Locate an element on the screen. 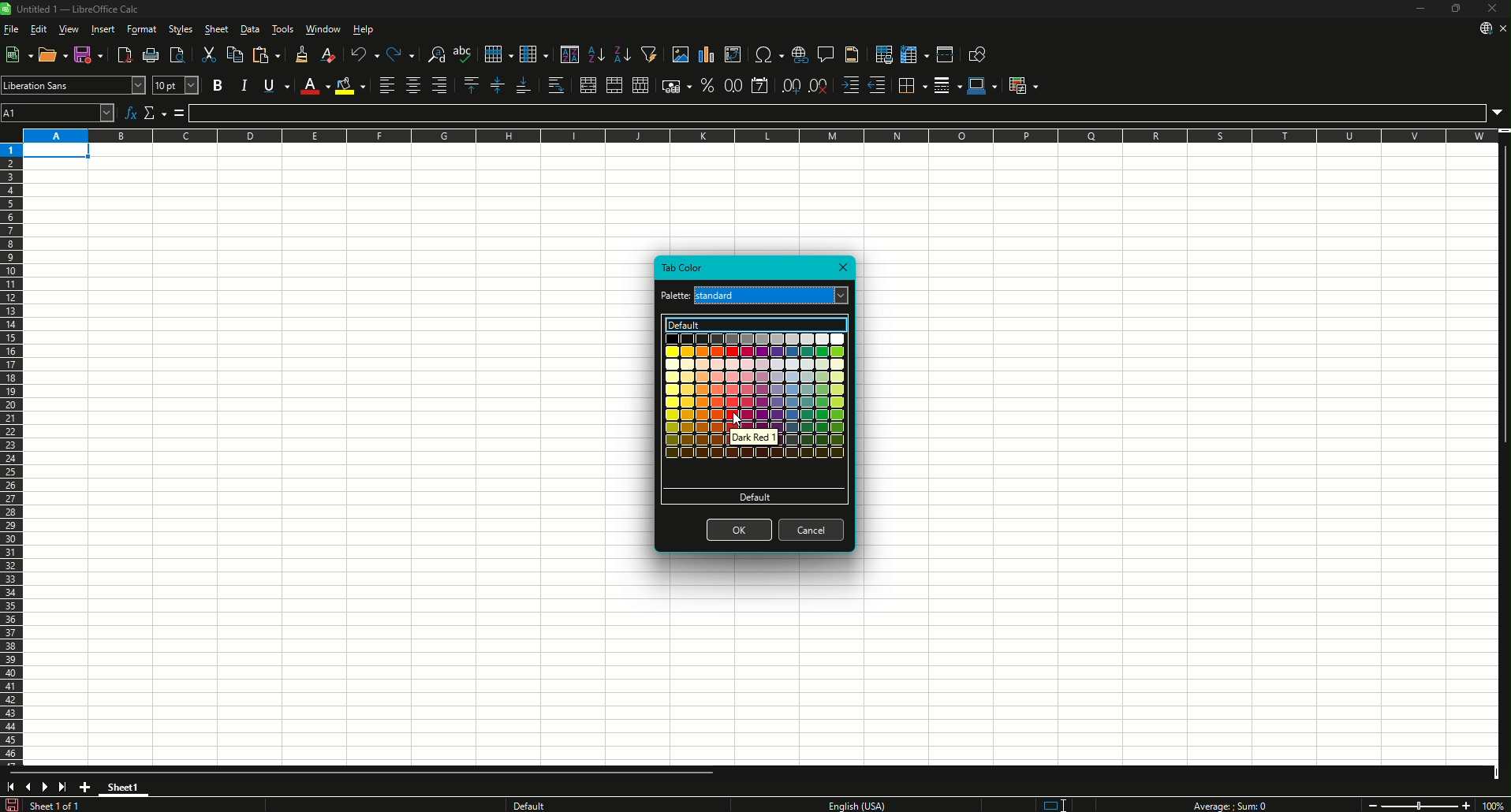  Insert Special Characters is located at coordinates (768, 54).